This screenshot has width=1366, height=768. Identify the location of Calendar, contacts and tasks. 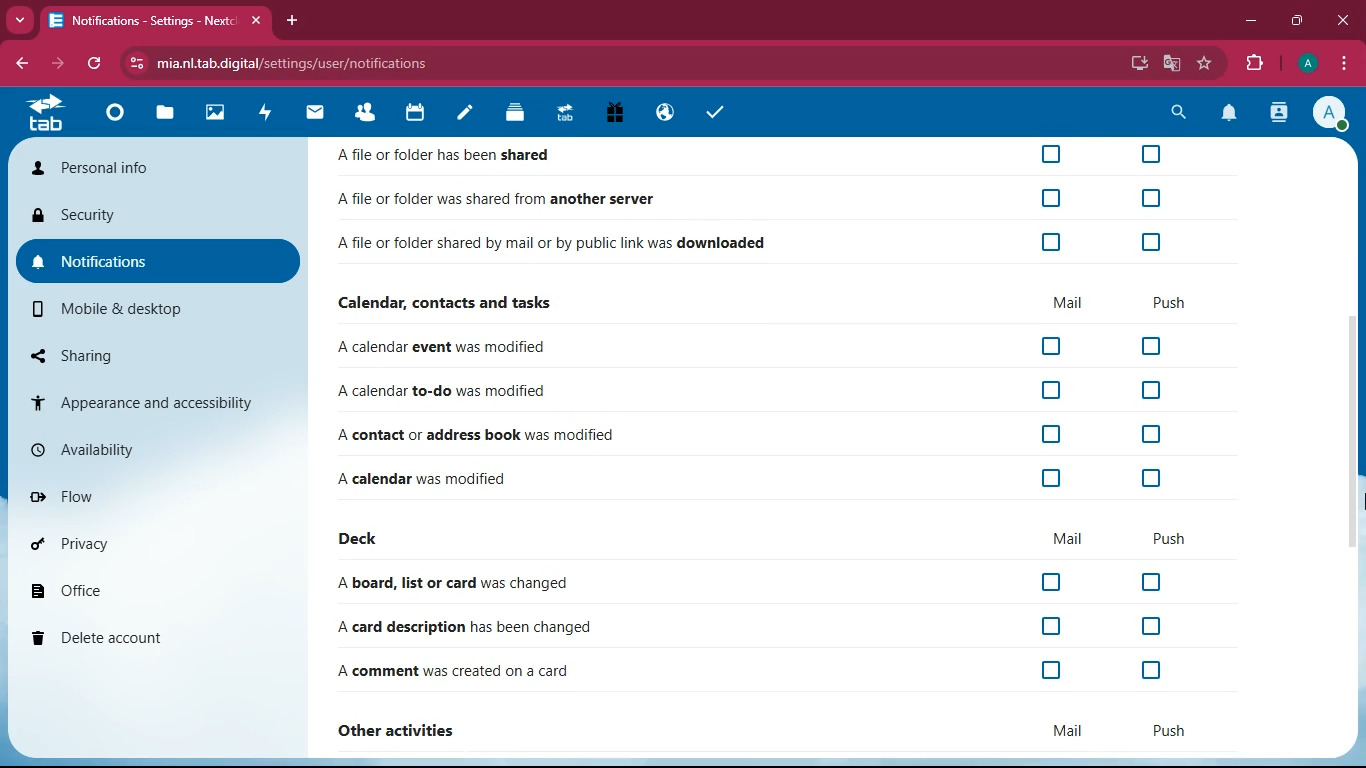
(457, 304).